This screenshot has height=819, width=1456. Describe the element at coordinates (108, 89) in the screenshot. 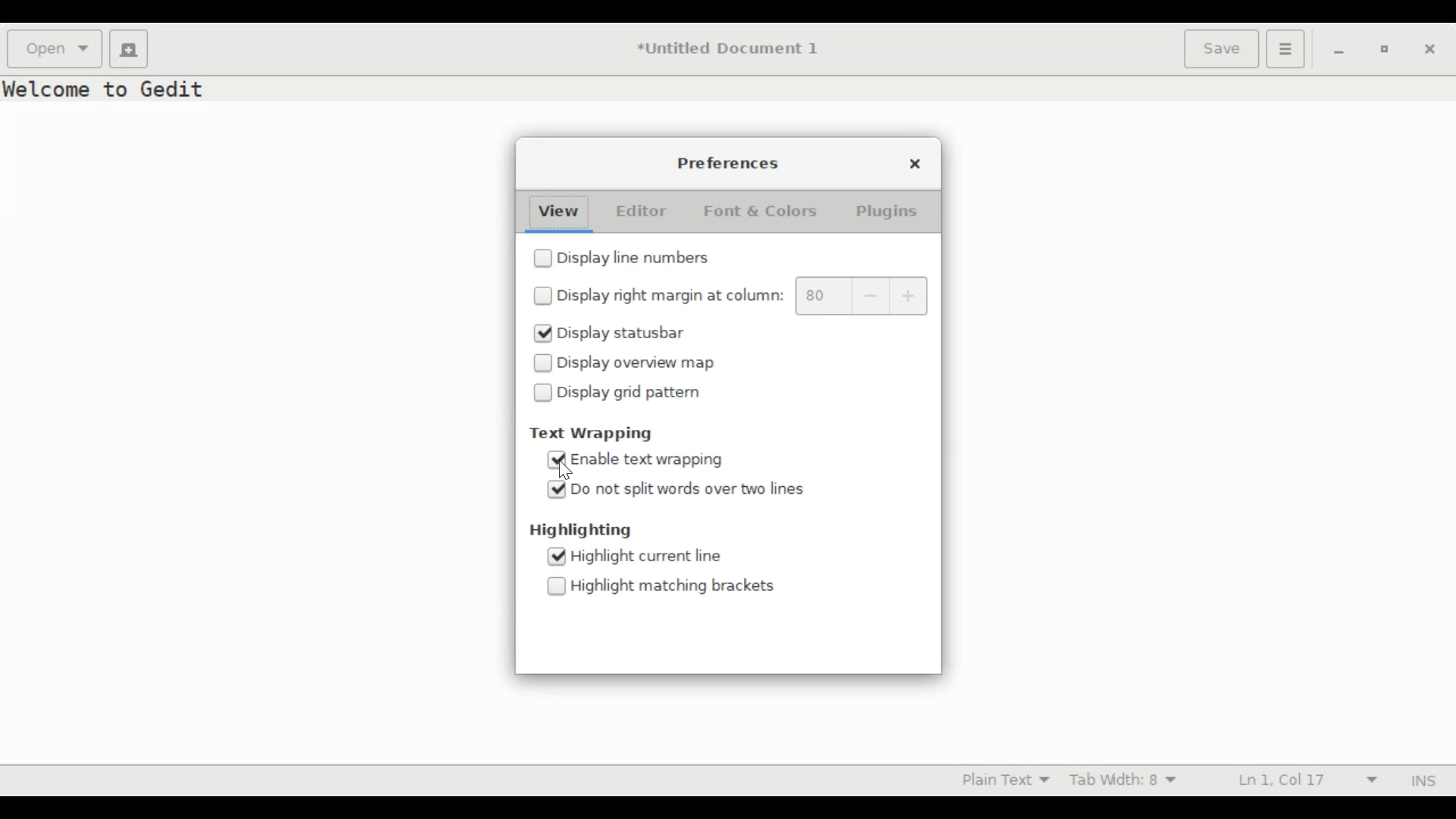

I see `Welcome to Gedit` at that location.